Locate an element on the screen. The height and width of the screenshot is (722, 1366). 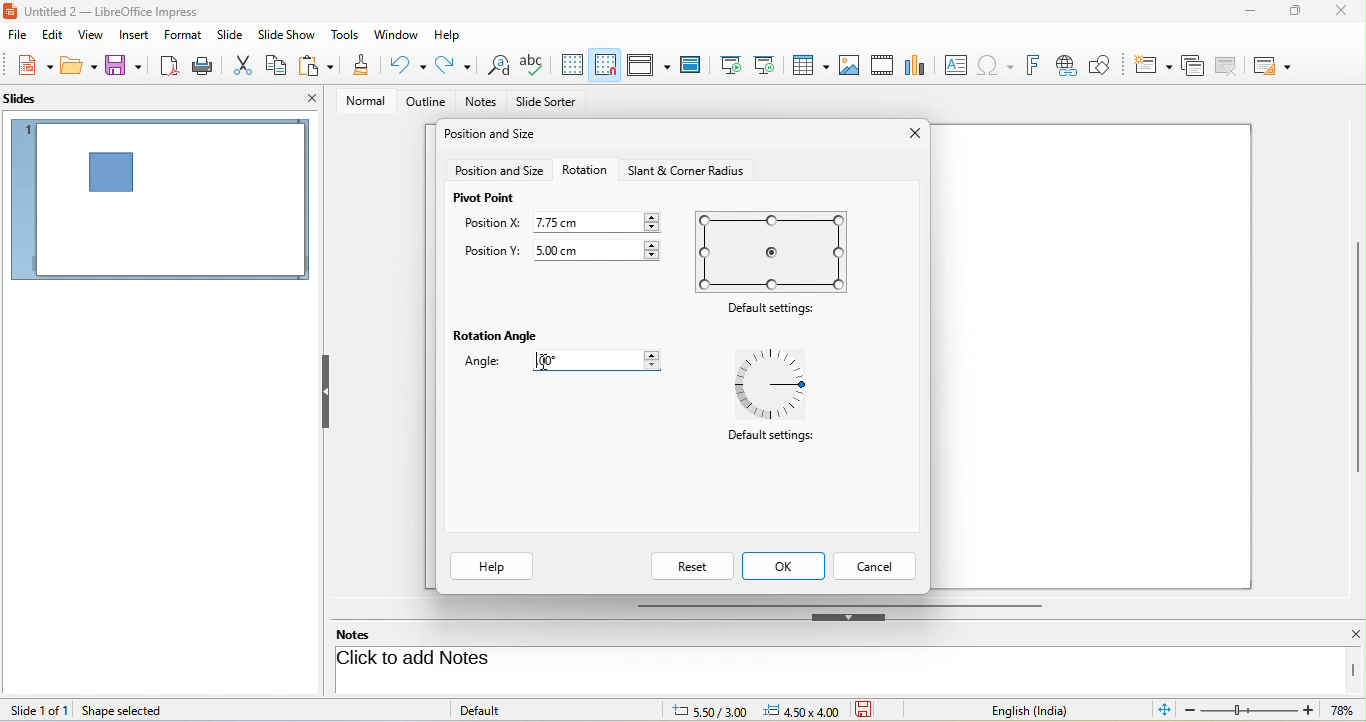
paste is located at coordinates (319, 67).